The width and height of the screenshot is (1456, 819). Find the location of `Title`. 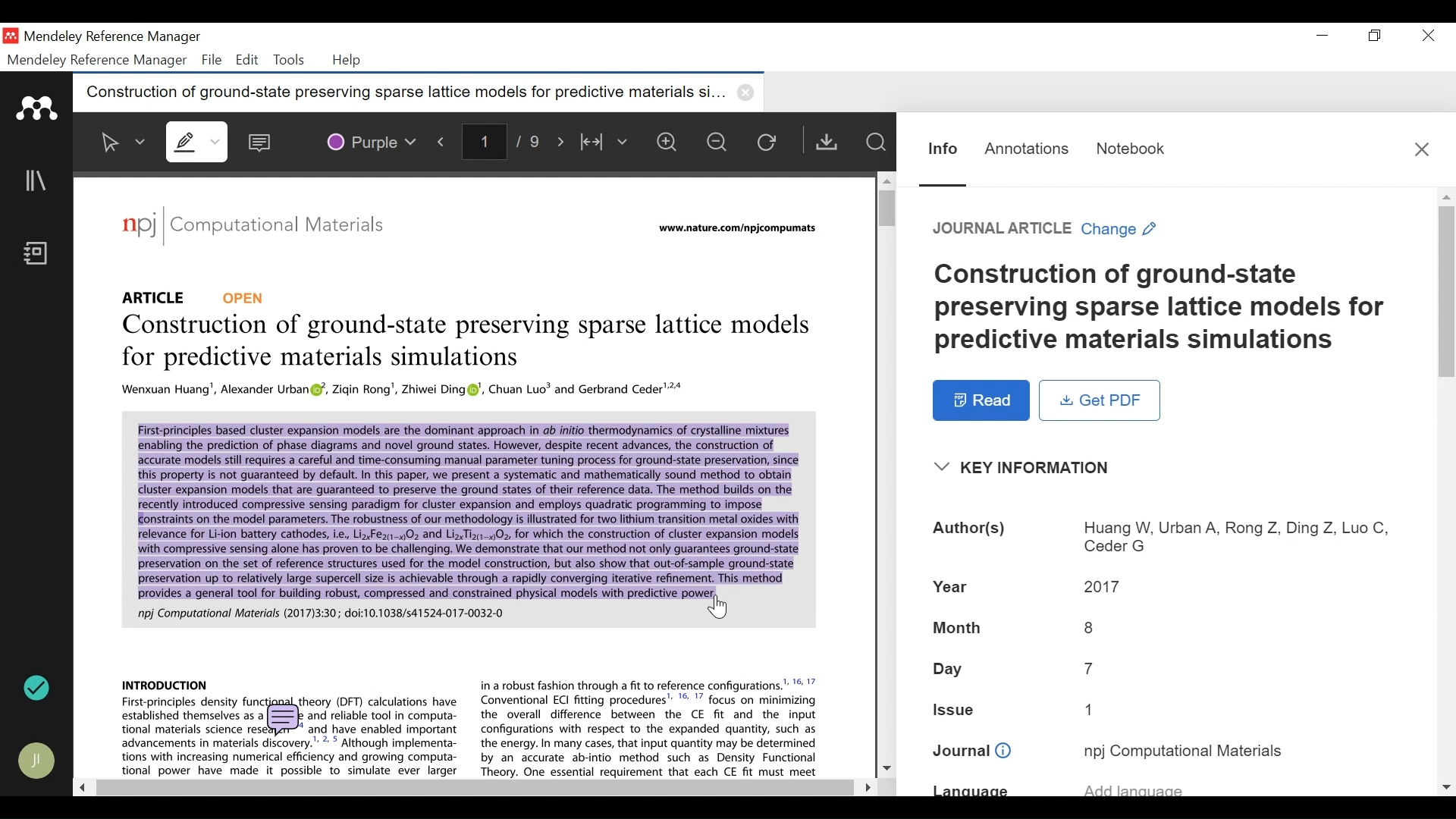

Title is located at coordinates (470, 344).